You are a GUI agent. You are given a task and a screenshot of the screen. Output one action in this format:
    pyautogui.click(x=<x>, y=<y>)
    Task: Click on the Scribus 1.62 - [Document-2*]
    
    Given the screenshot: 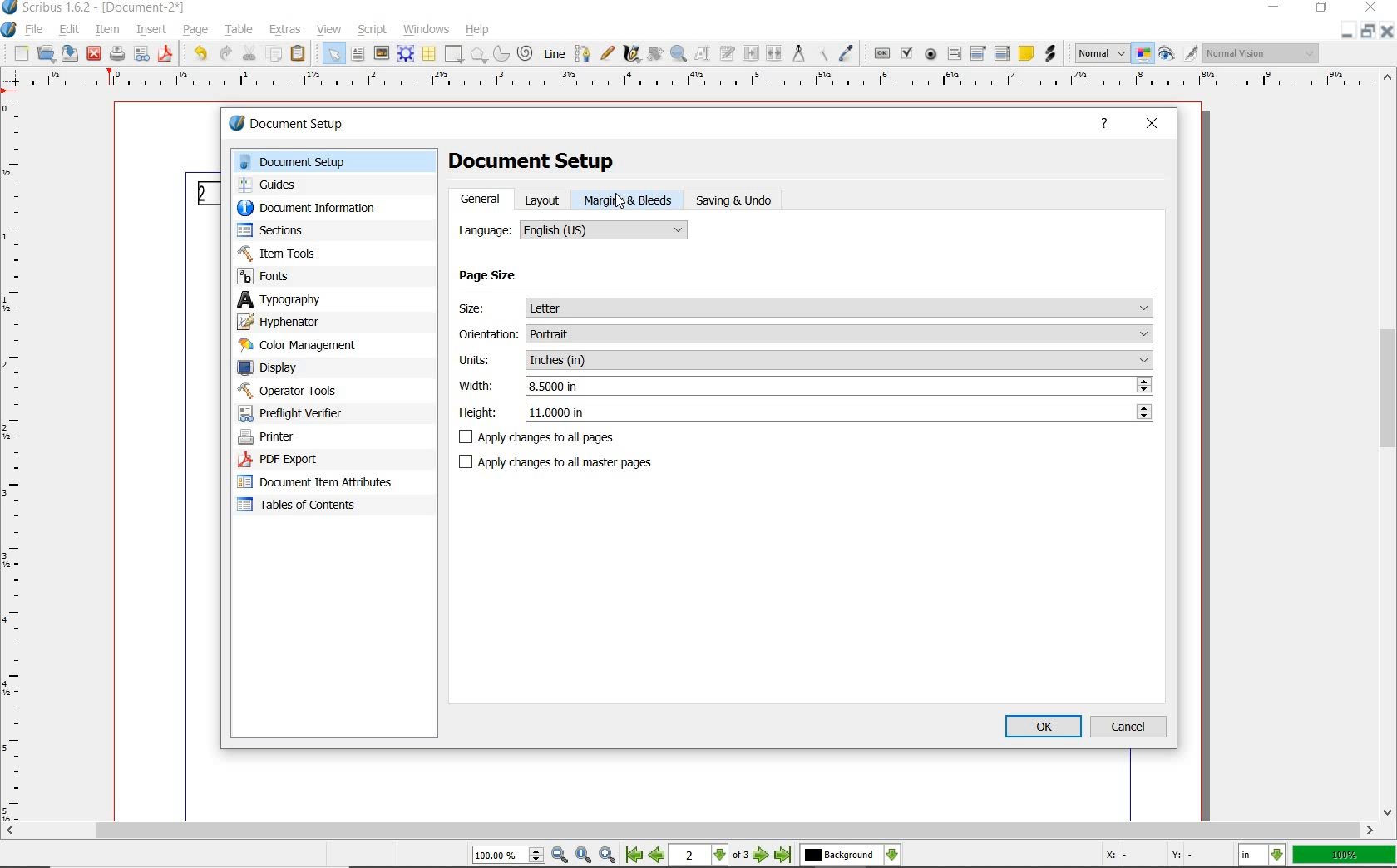 What is the action you would take?
    pyautogui.click(x=96, y=7)
    